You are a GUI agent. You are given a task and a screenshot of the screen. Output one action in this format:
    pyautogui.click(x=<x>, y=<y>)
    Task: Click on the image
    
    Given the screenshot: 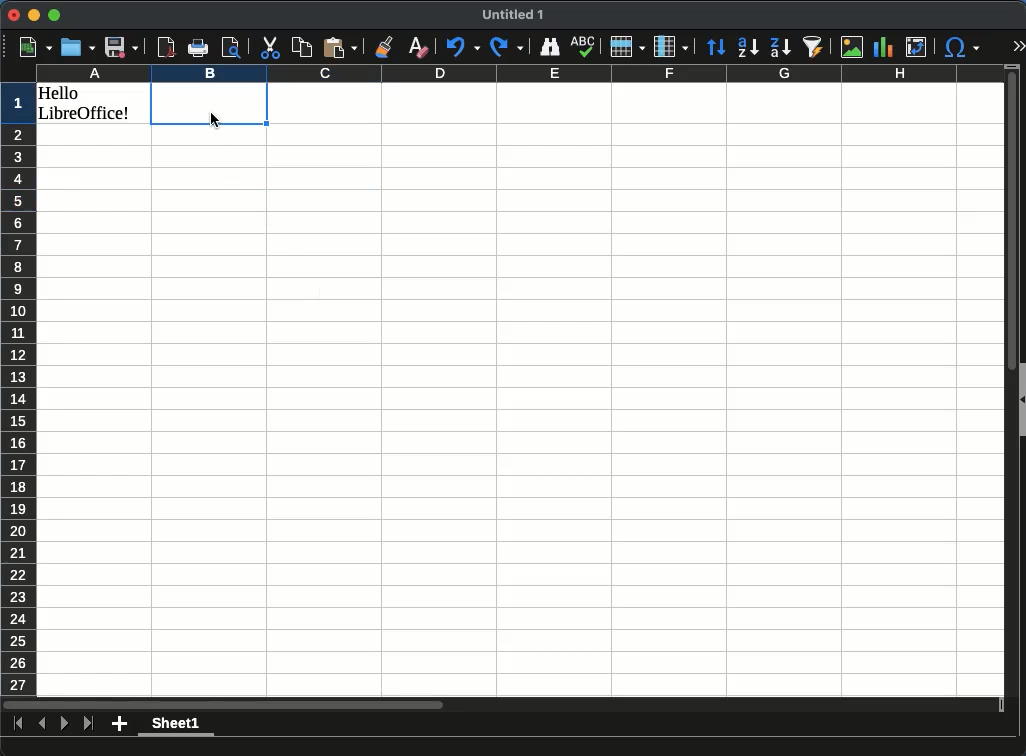 What is the action you would take?
    pyautogui.click(x=851, y=47)
    